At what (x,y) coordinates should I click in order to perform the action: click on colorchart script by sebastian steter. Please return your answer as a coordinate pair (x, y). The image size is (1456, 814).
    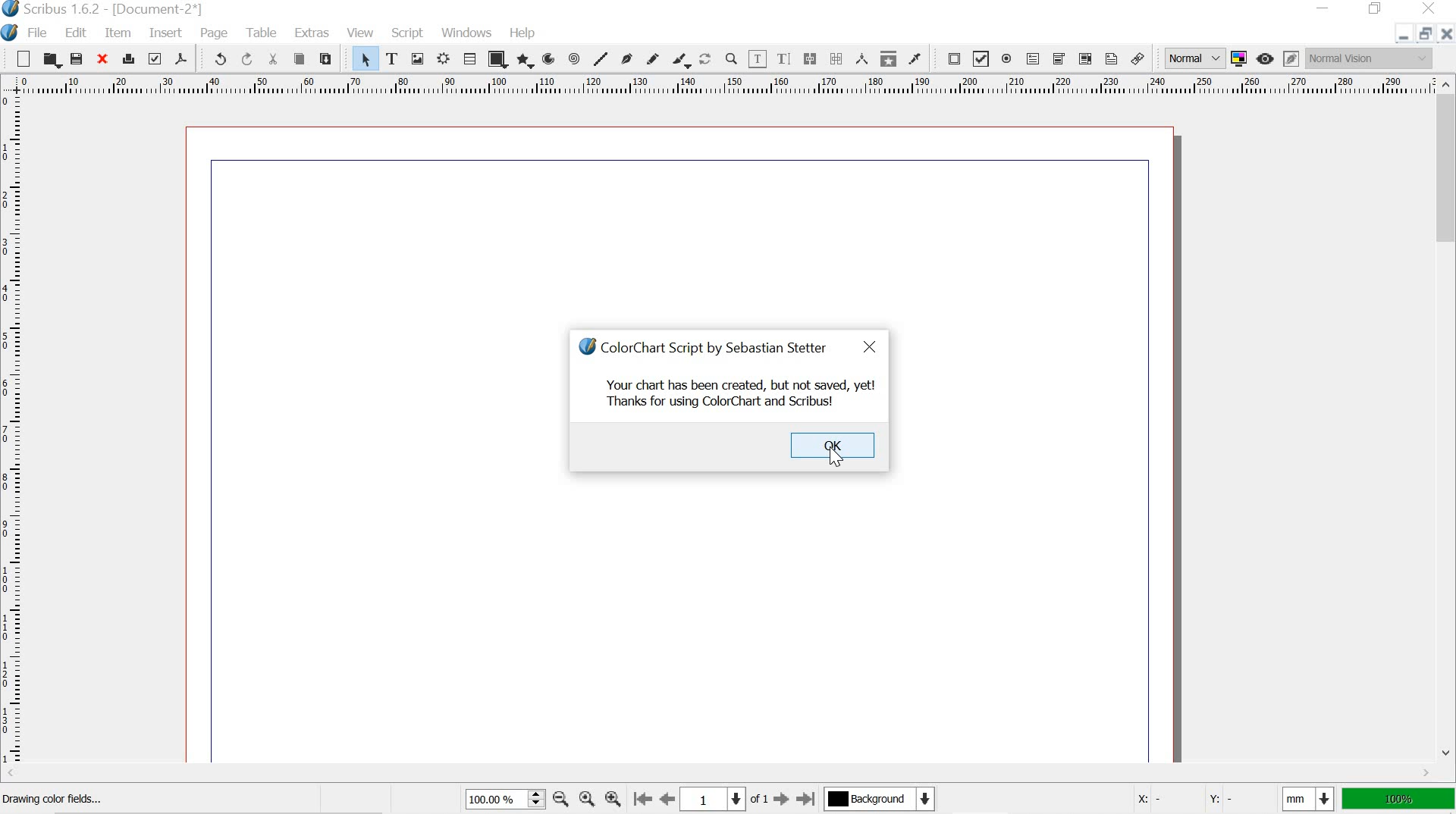
    Looking at the image, I should click on (718, 344).